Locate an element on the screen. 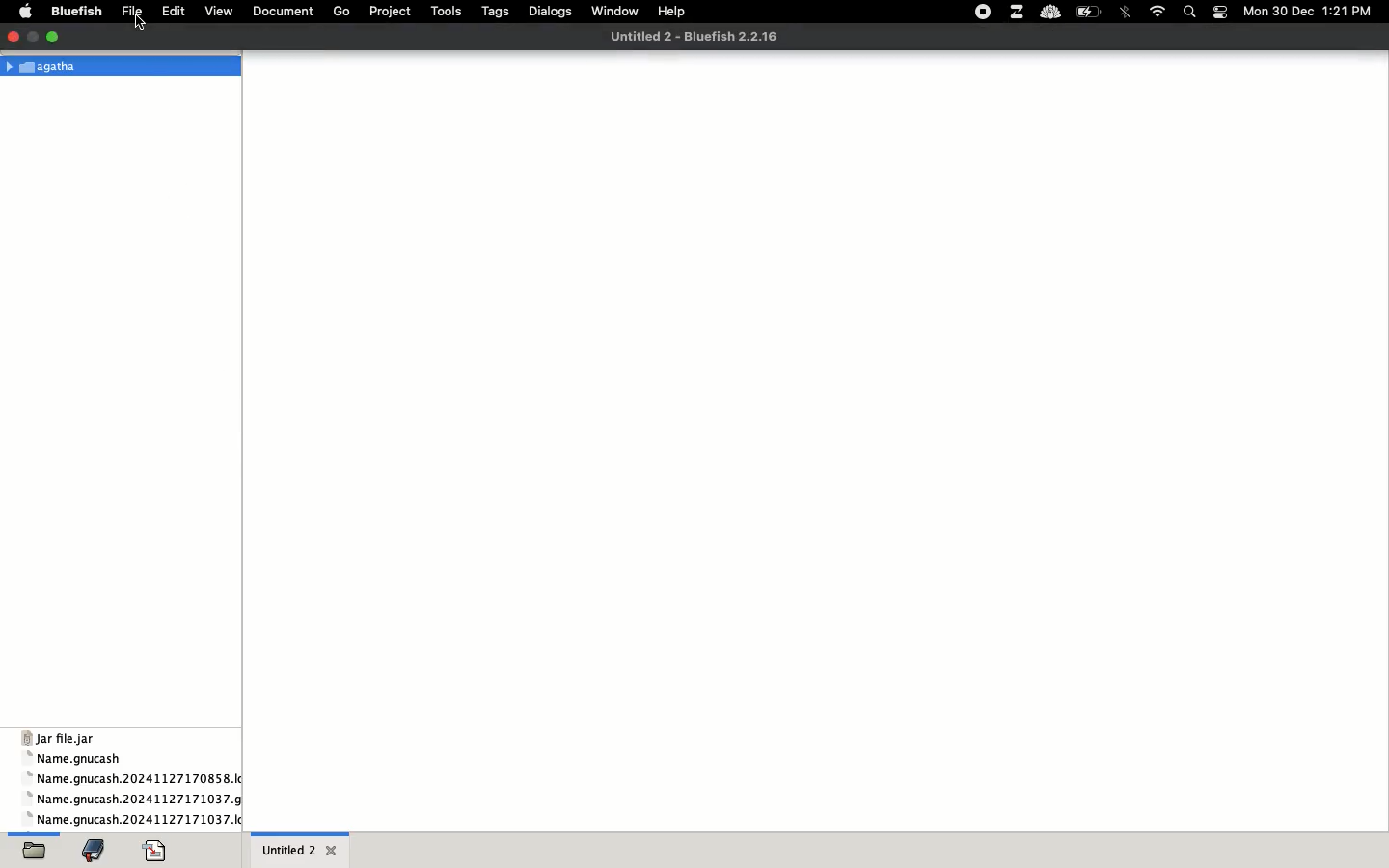  help is located at coordinates (674, 12).